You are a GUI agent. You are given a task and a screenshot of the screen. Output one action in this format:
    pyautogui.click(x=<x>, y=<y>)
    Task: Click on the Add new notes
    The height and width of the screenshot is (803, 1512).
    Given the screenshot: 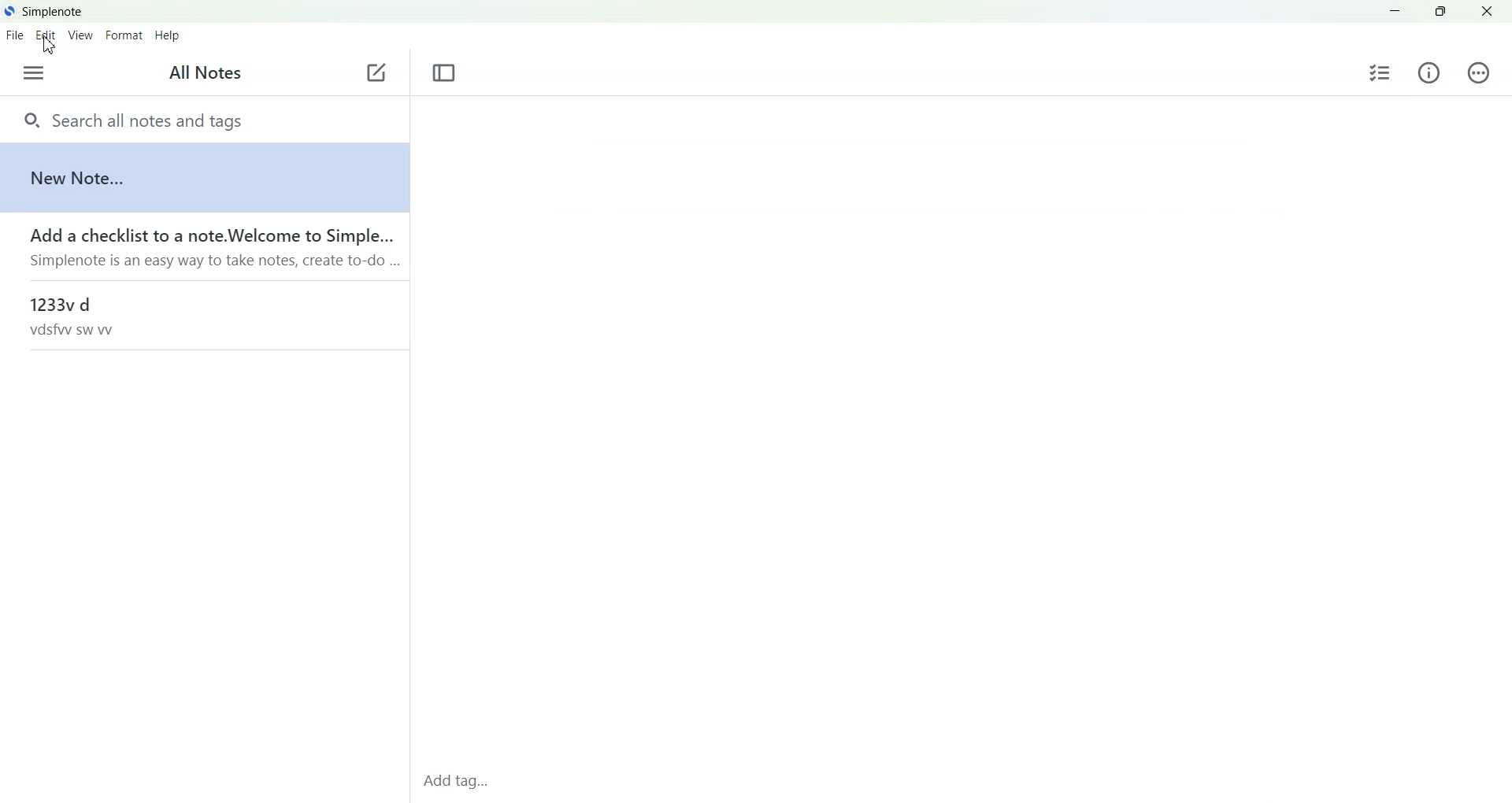 What is the action you would take?
    pyautogui.click(x=375, y=73)
    